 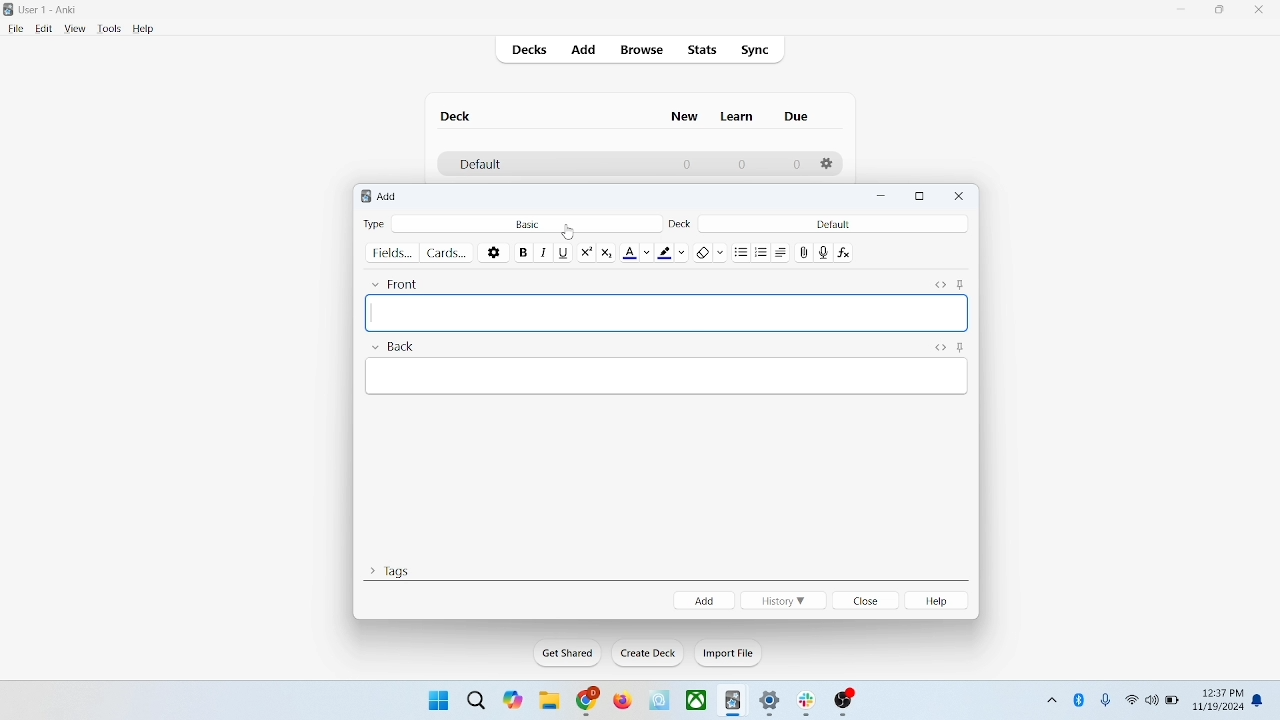 What do you see at coordinates (676, 252) in the screenshot?
I see `text highlight color` at bounding box center [676, 252].